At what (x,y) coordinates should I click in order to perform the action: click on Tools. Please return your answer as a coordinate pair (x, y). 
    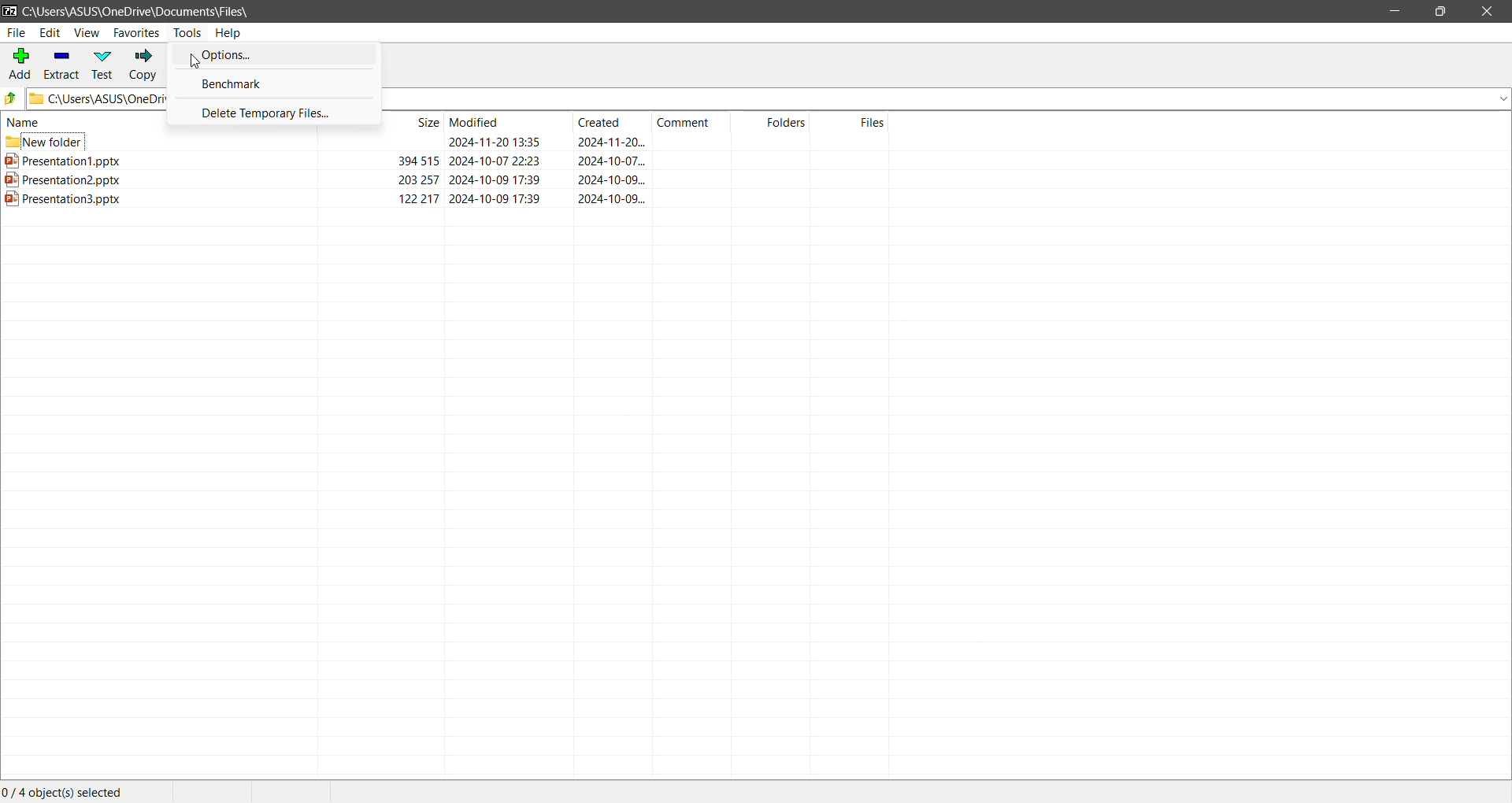
    Looking at the image, I should click on (187, 32).